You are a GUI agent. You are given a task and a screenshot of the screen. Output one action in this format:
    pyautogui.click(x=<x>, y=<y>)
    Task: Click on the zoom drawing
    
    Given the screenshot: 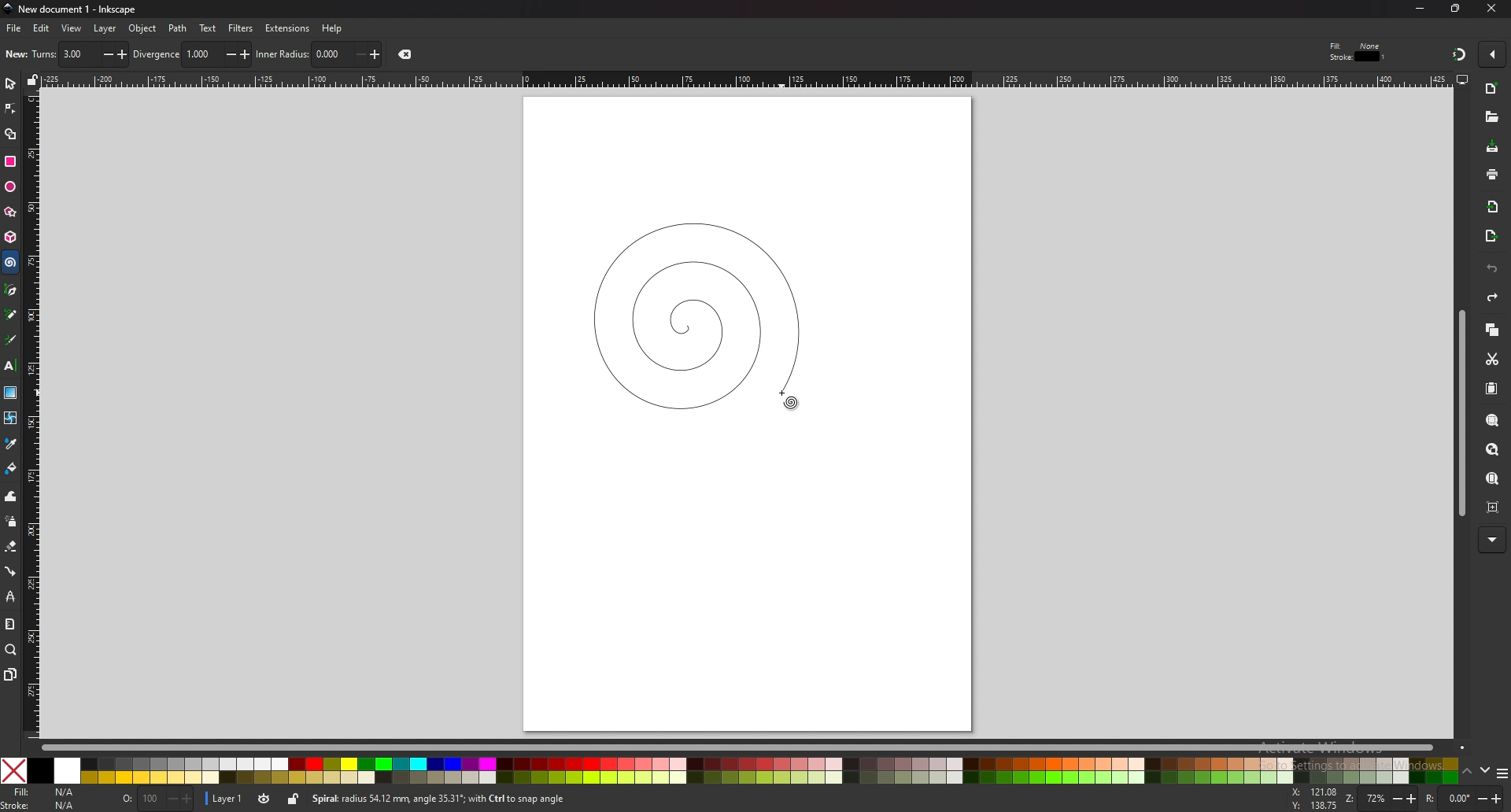 What is the action you would take?
    pyautogui.click(x=1492, y=448)
    